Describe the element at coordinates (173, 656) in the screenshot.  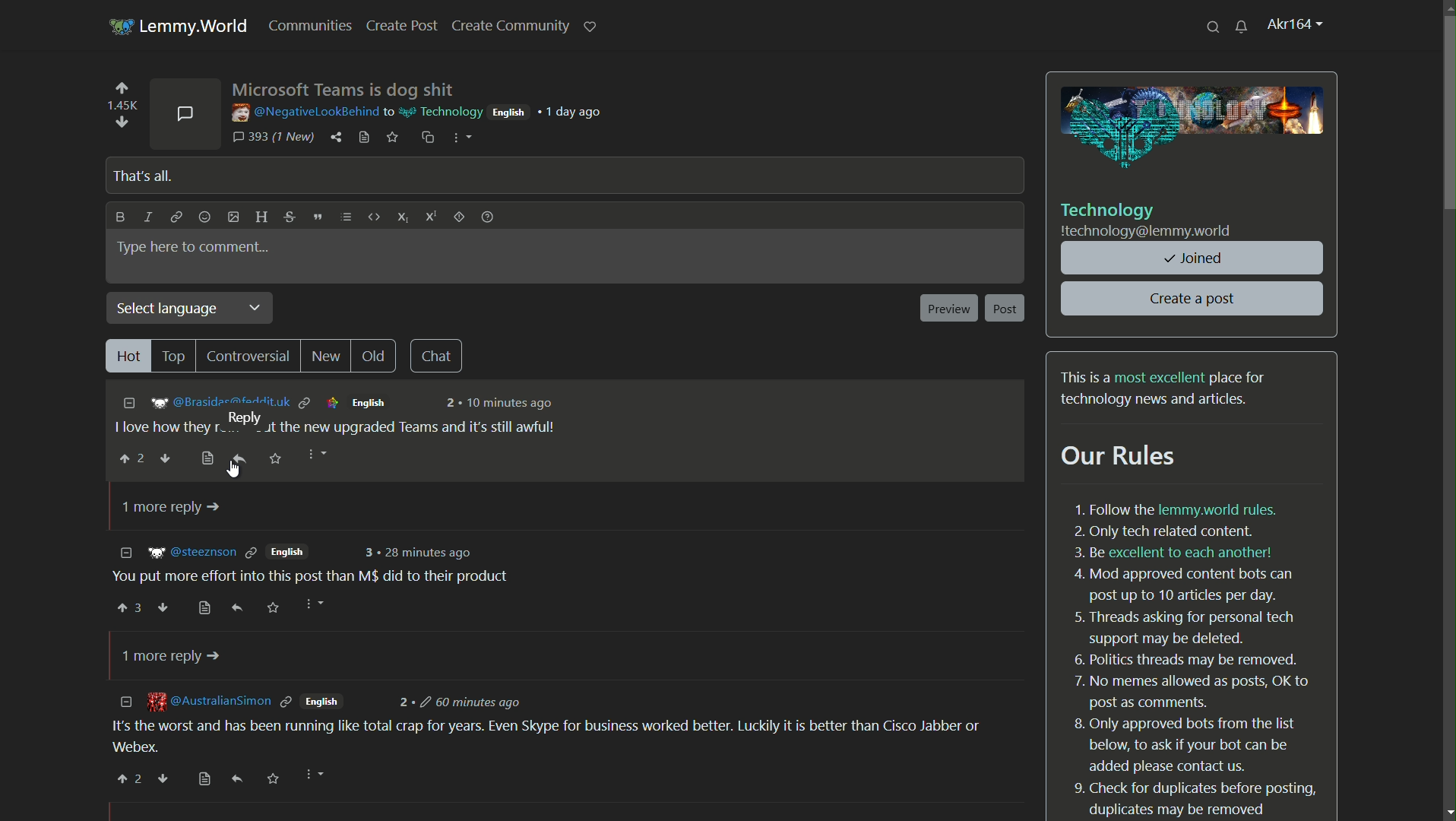
I see `1 more reply` at that location.